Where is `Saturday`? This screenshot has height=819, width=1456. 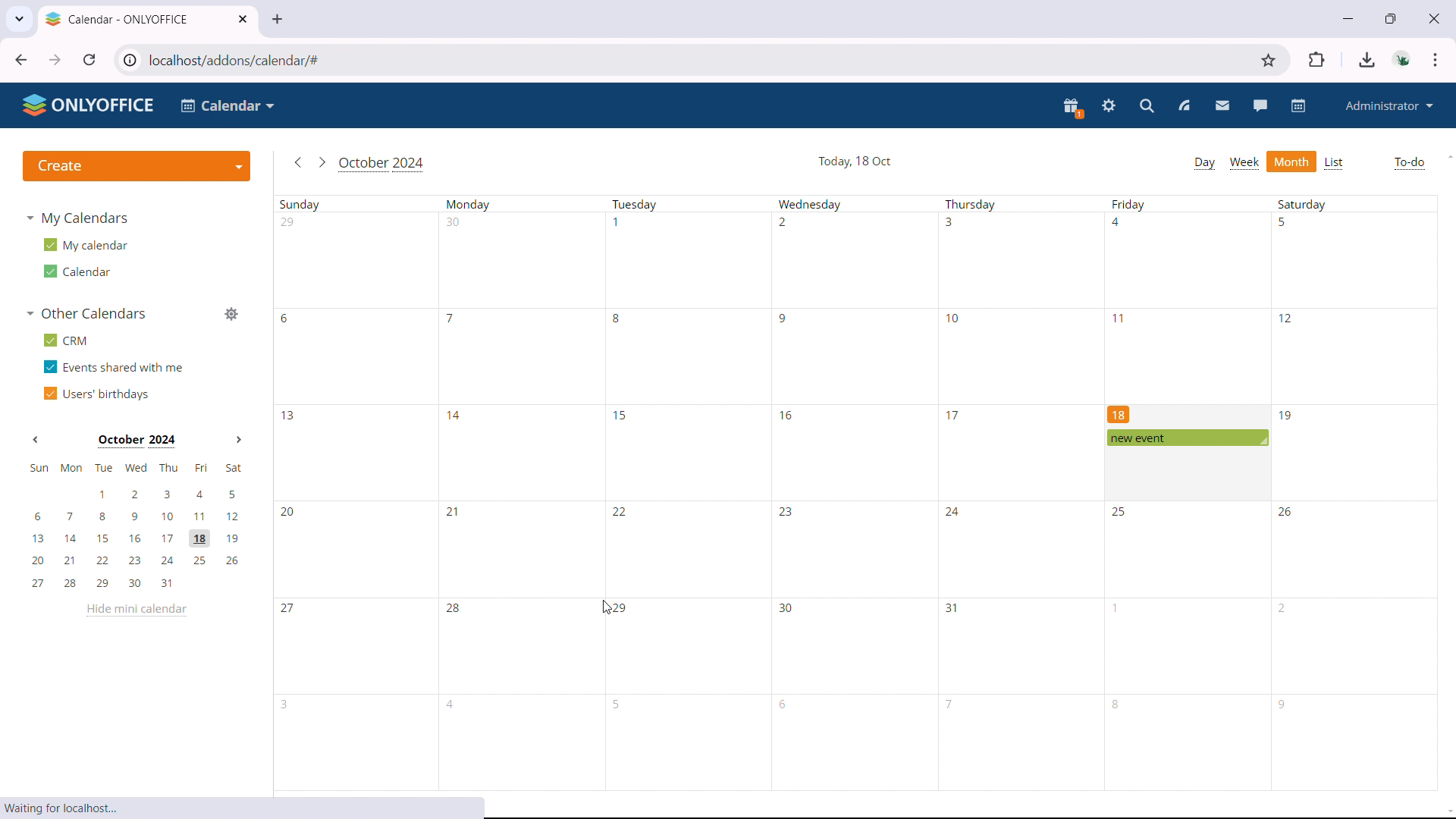
Saturday is located at coordinates (1302, 203).